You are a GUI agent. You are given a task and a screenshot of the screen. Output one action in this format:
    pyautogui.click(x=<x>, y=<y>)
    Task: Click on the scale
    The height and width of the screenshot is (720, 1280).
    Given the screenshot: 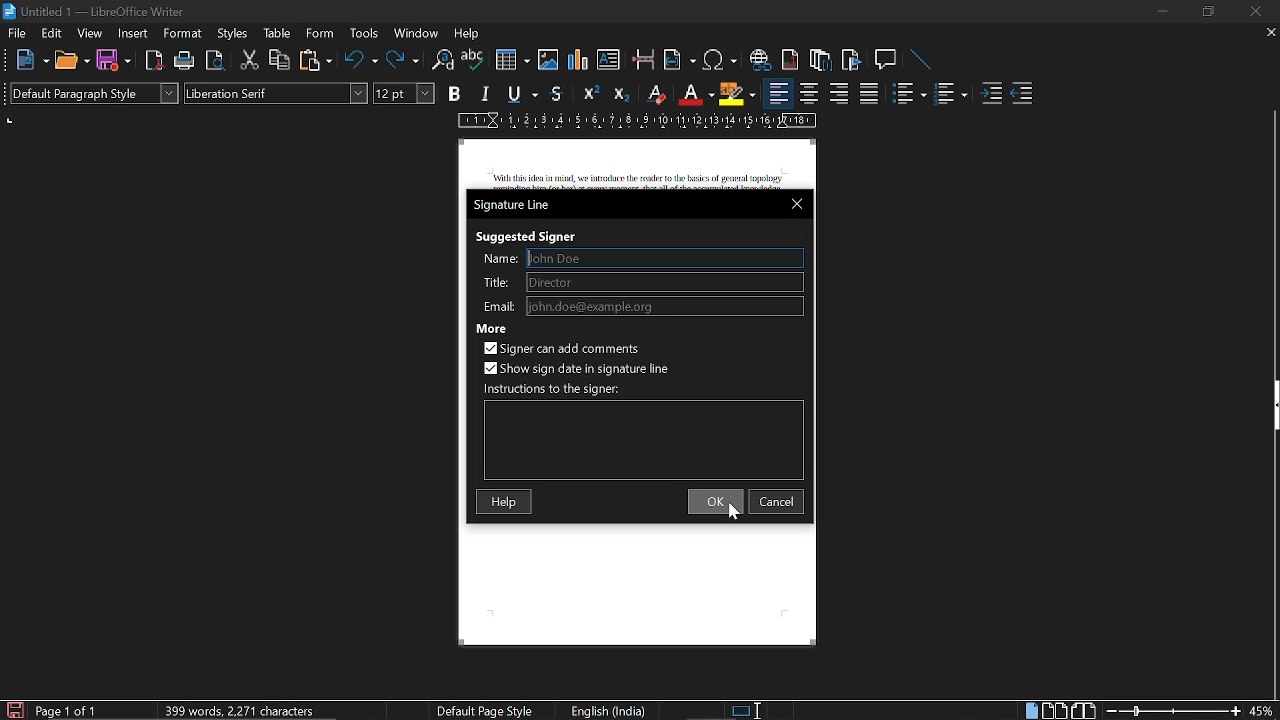 What is the action you would take?
    pyautogui.click(x=638, y=121)
    